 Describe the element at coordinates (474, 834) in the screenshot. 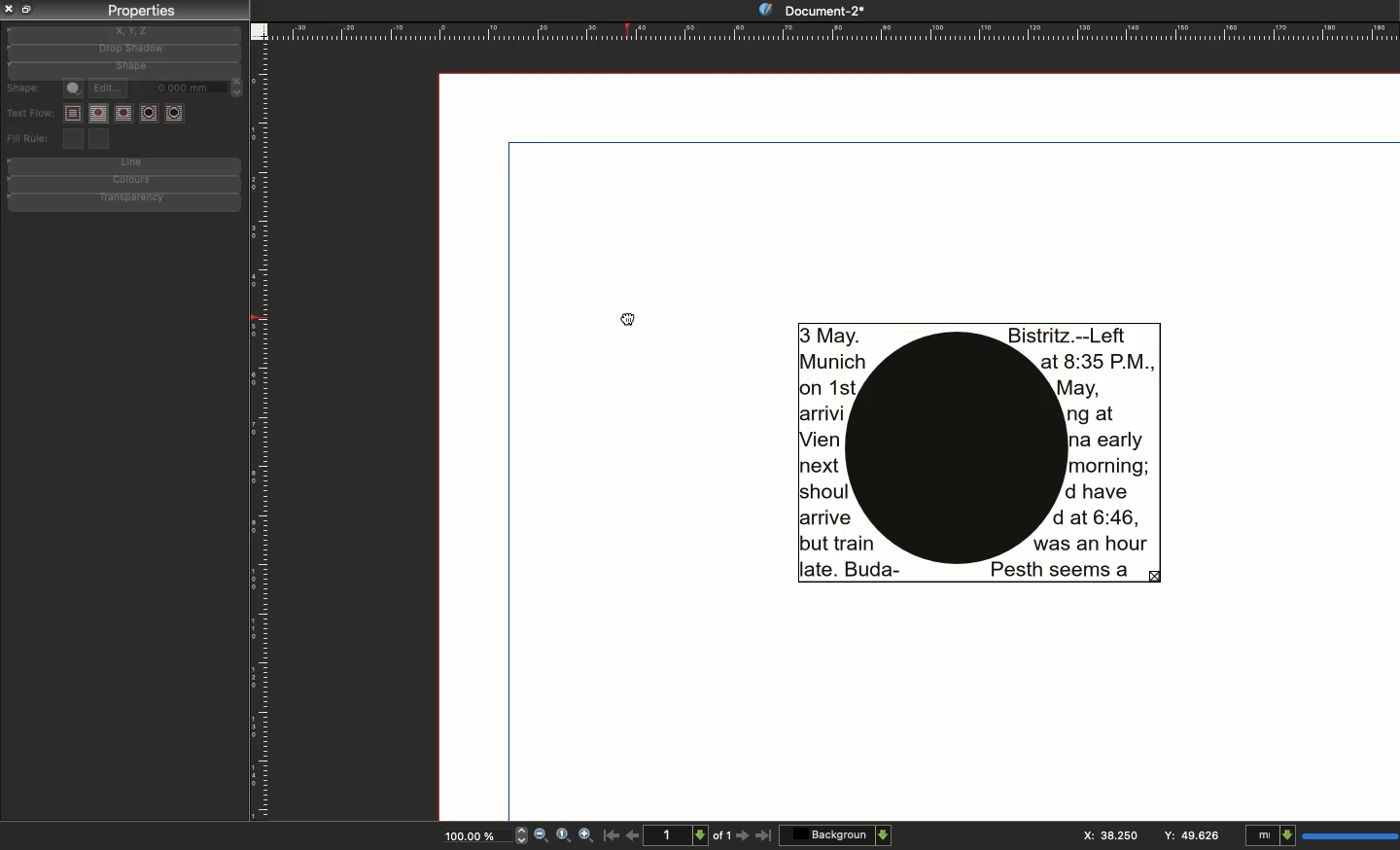

I see `Zoom` at that location.